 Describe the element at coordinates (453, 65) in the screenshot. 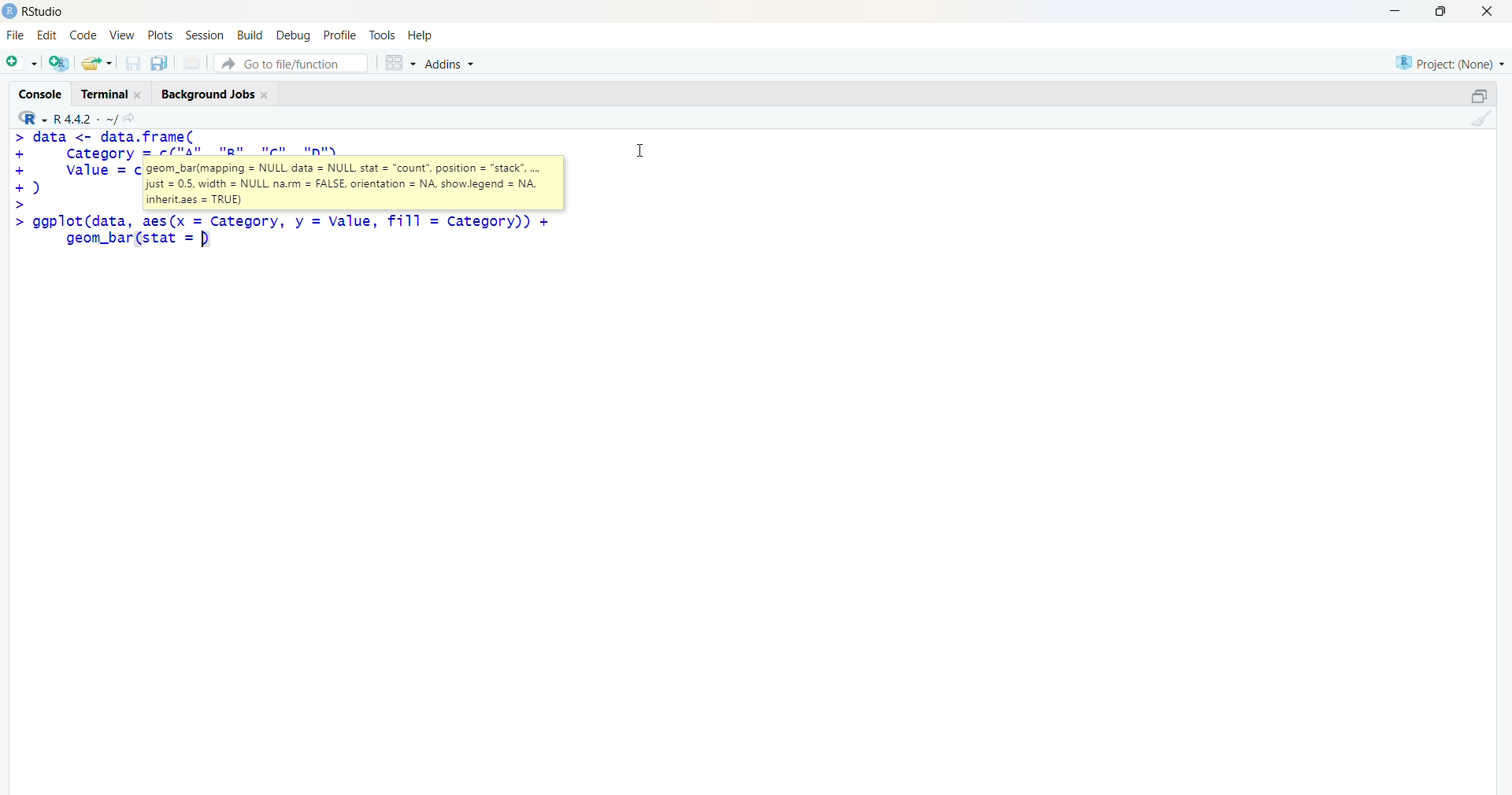

I see `Addins` at that location.